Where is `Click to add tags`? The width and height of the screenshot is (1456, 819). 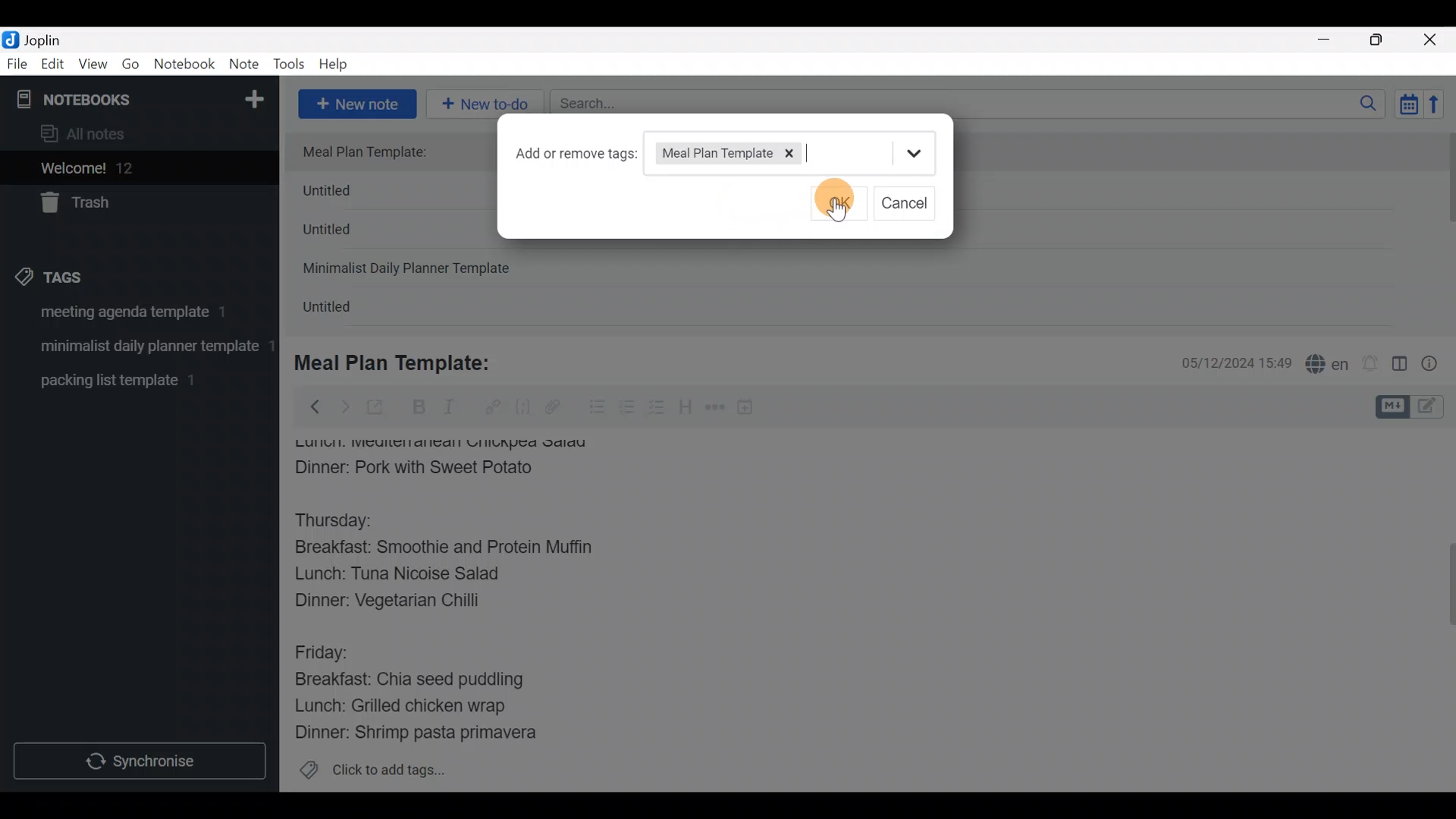 Click to add tags is located at coordinates (372, 775).